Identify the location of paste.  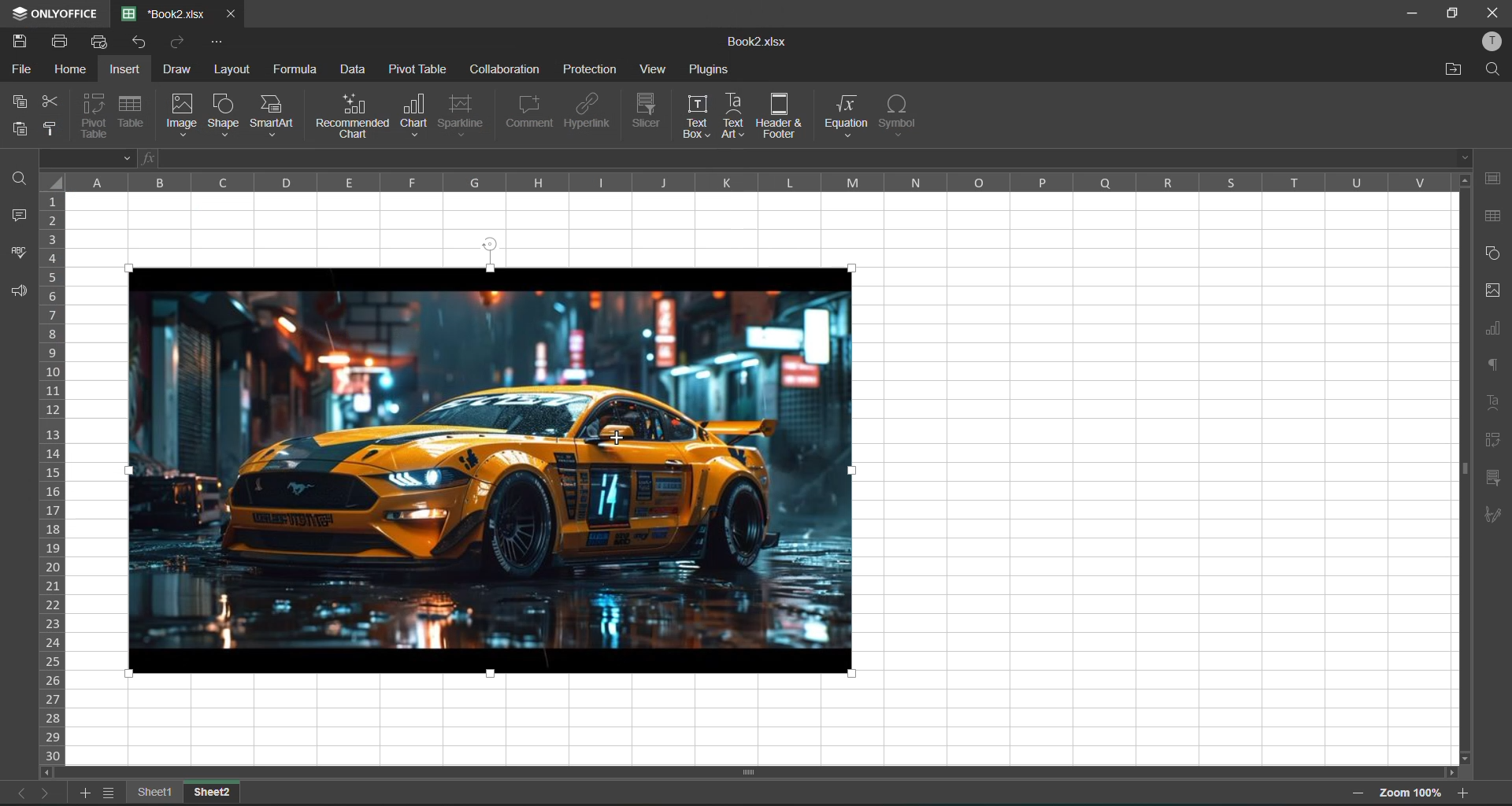
(20, 128).